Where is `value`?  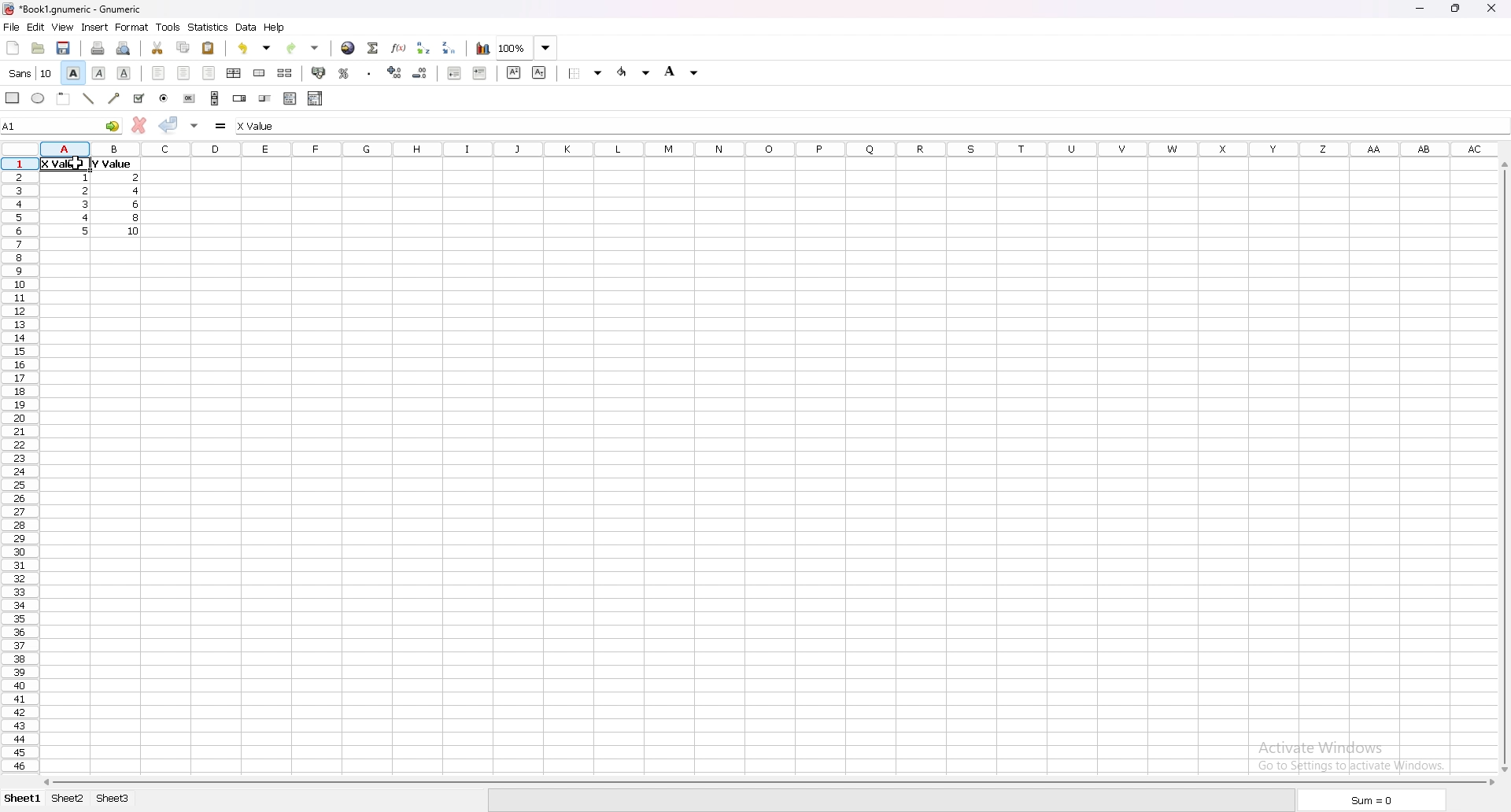 value is located at coordinates (87, 217).